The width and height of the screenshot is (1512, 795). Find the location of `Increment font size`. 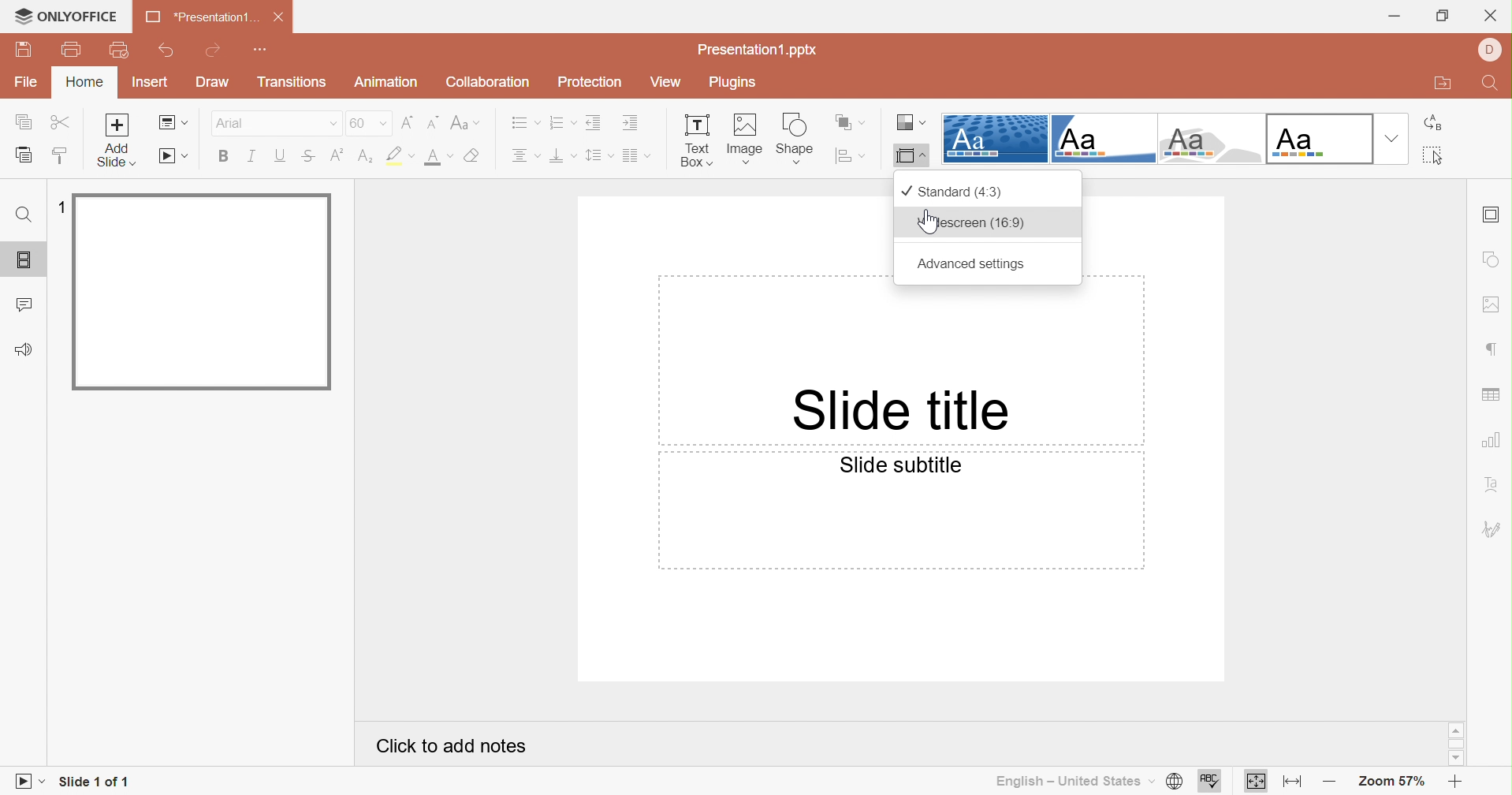

Increment font size is located at coordinates (409, 122).